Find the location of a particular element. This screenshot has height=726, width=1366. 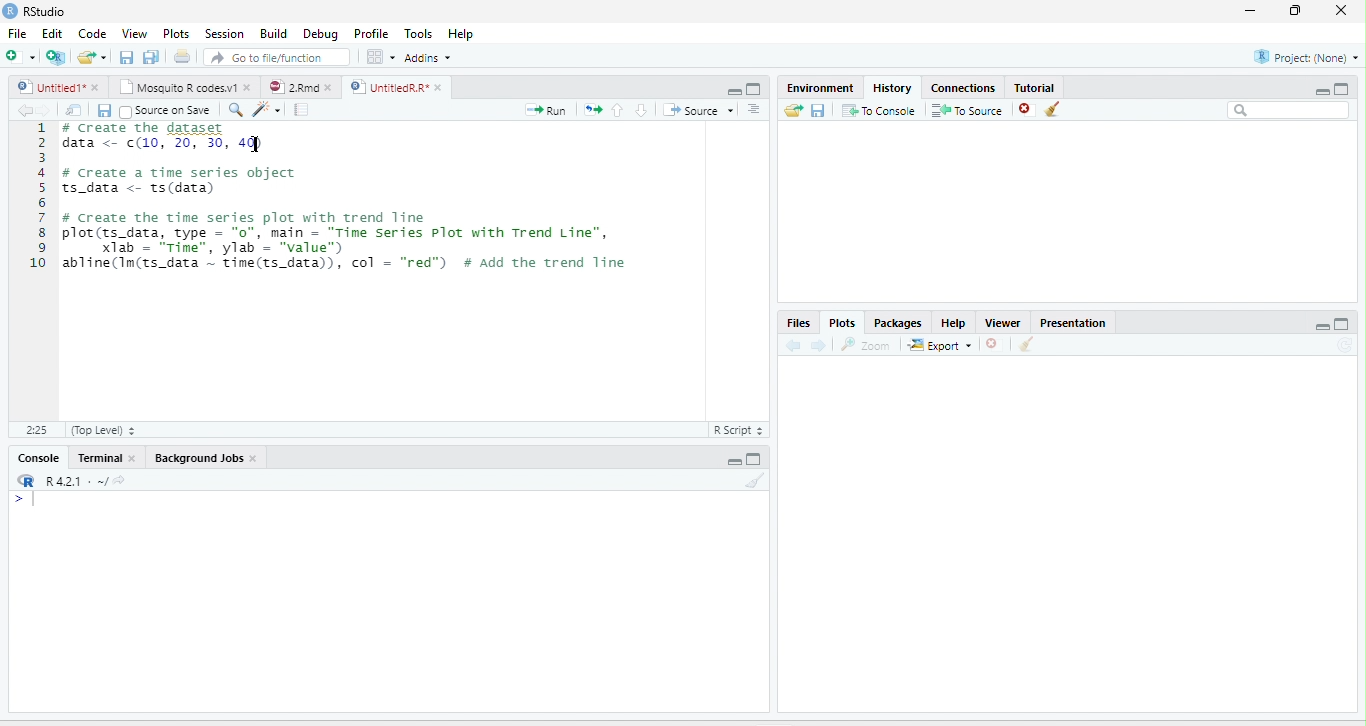

Addins is located at coordinates (428, 58).